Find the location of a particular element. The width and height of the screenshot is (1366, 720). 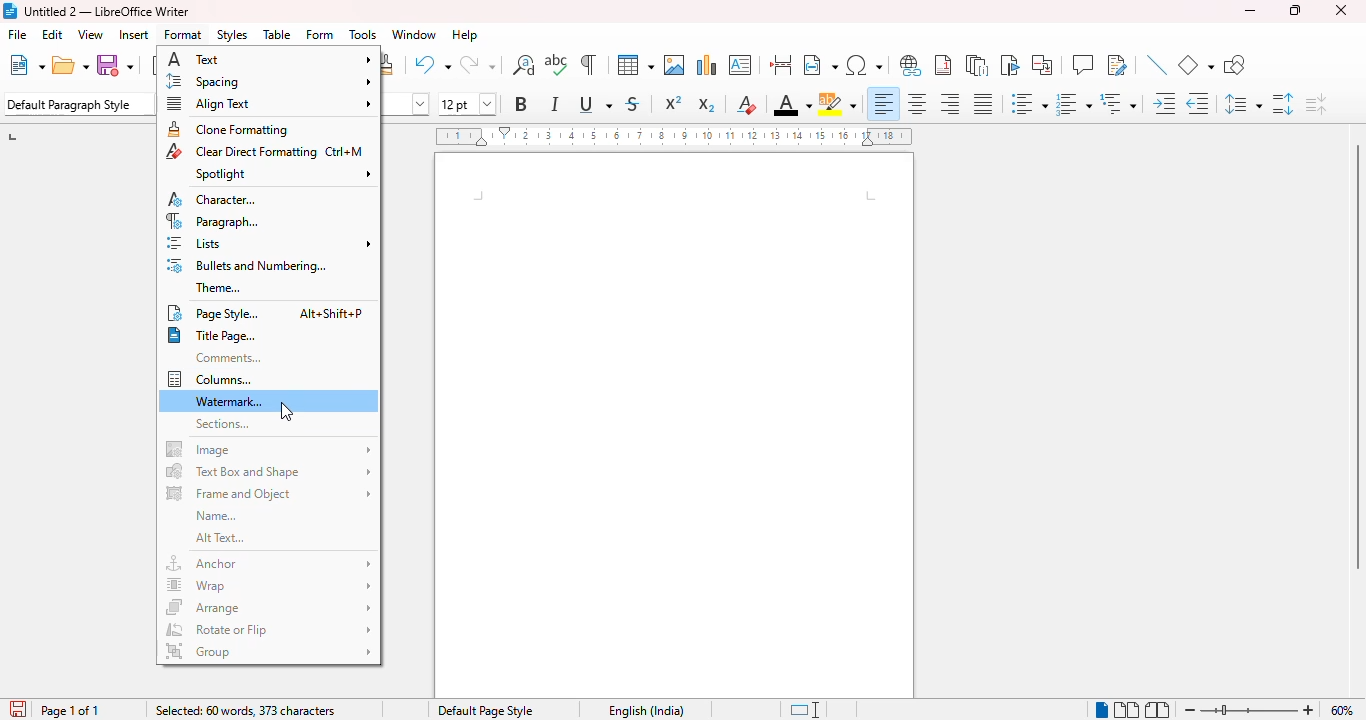

show draw changes functions is located at coordinates (1116, 64).